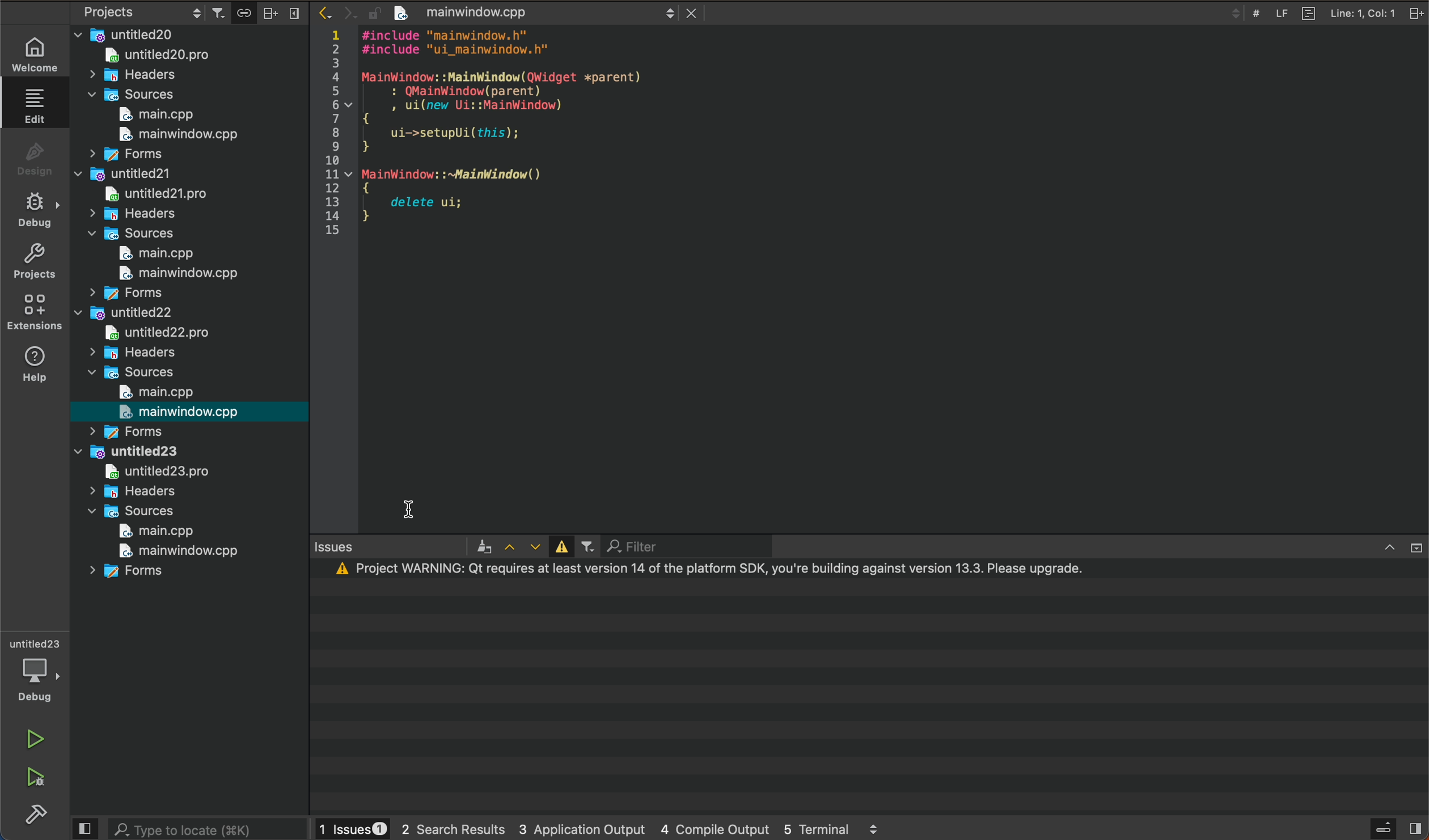 This screenshot has height=840, width=1429. Describe the element at coordinates (34, 264) in the screenshot. I see `projects` at that location.